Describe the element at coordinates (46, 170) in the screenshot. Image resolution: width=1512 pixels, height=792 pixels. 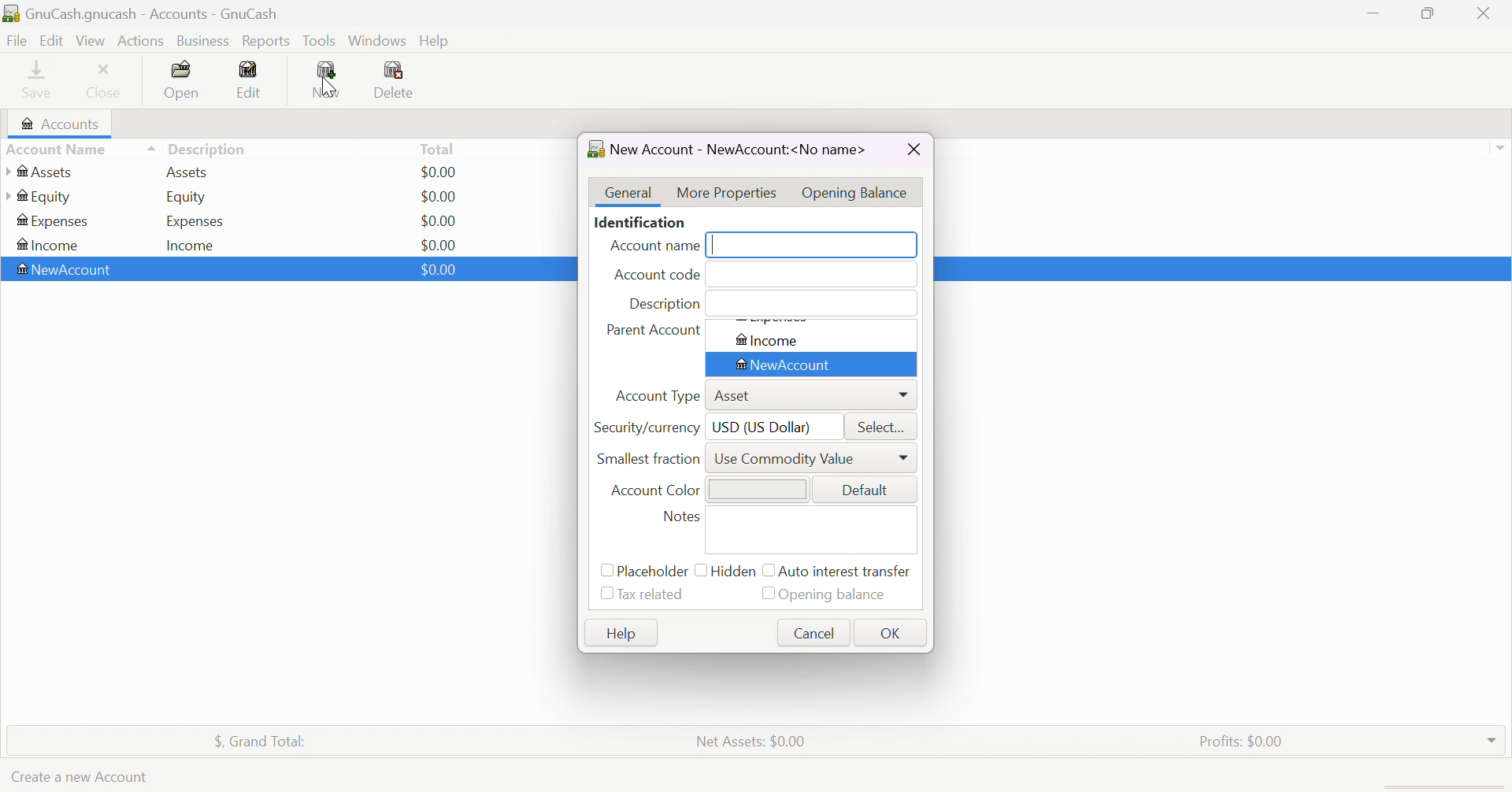
I see `Assets` at that location.